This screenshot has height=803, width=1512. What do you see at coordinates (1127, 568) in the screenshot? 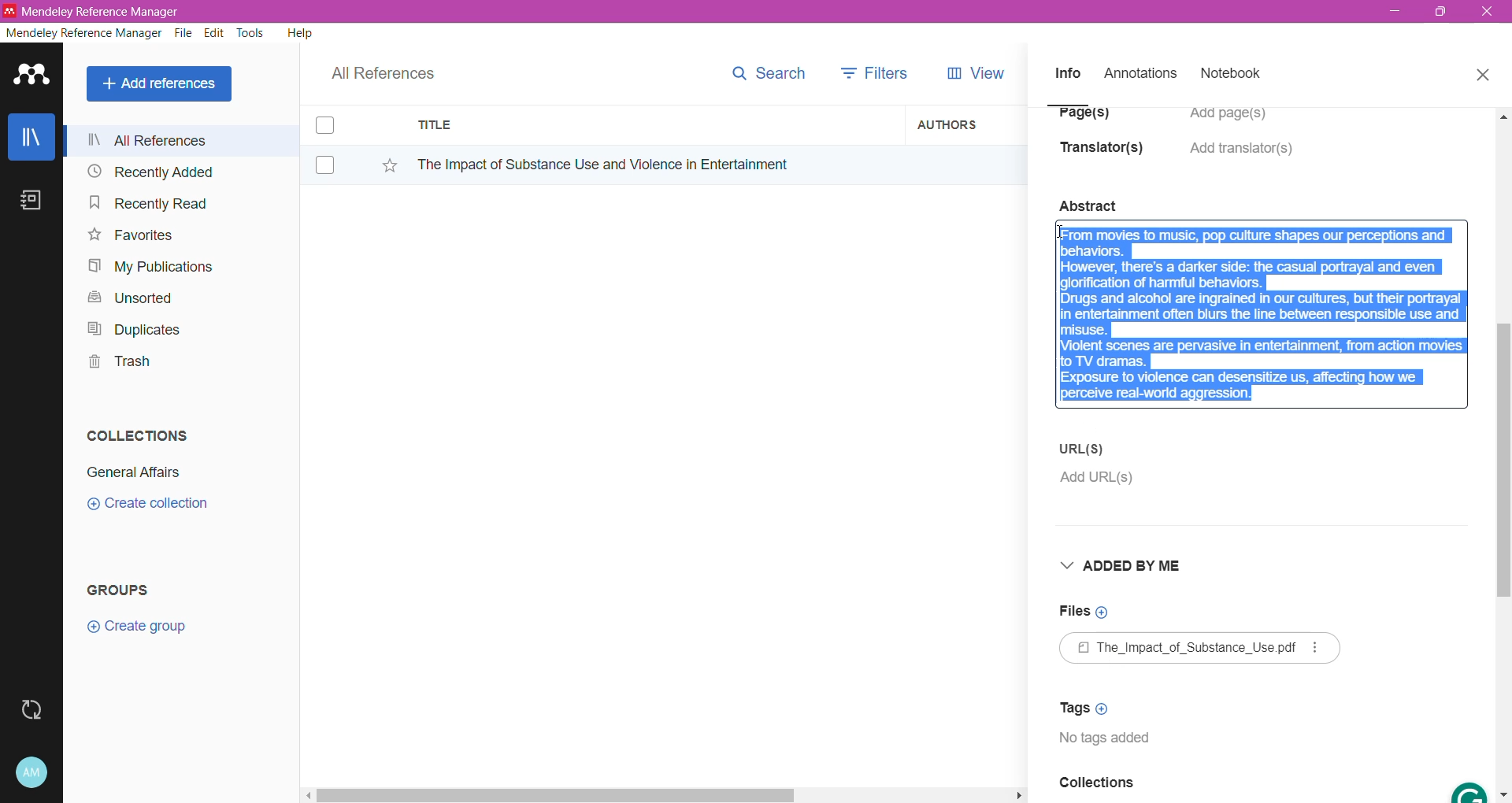
I see `Added By Me` at bounding box center [1127, 568].